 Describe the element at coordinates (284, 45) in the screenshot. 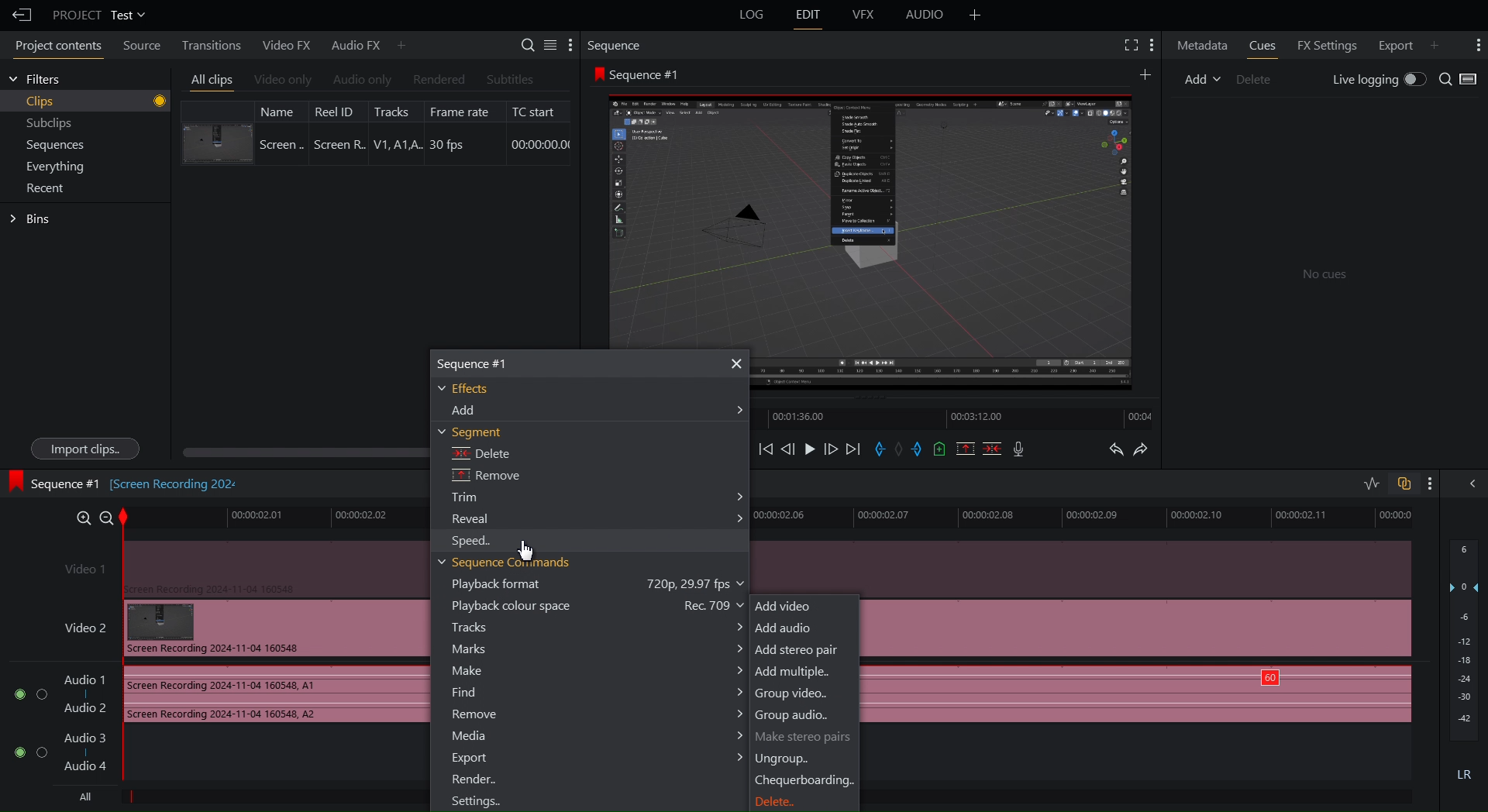

I see `Video FX` at that location.